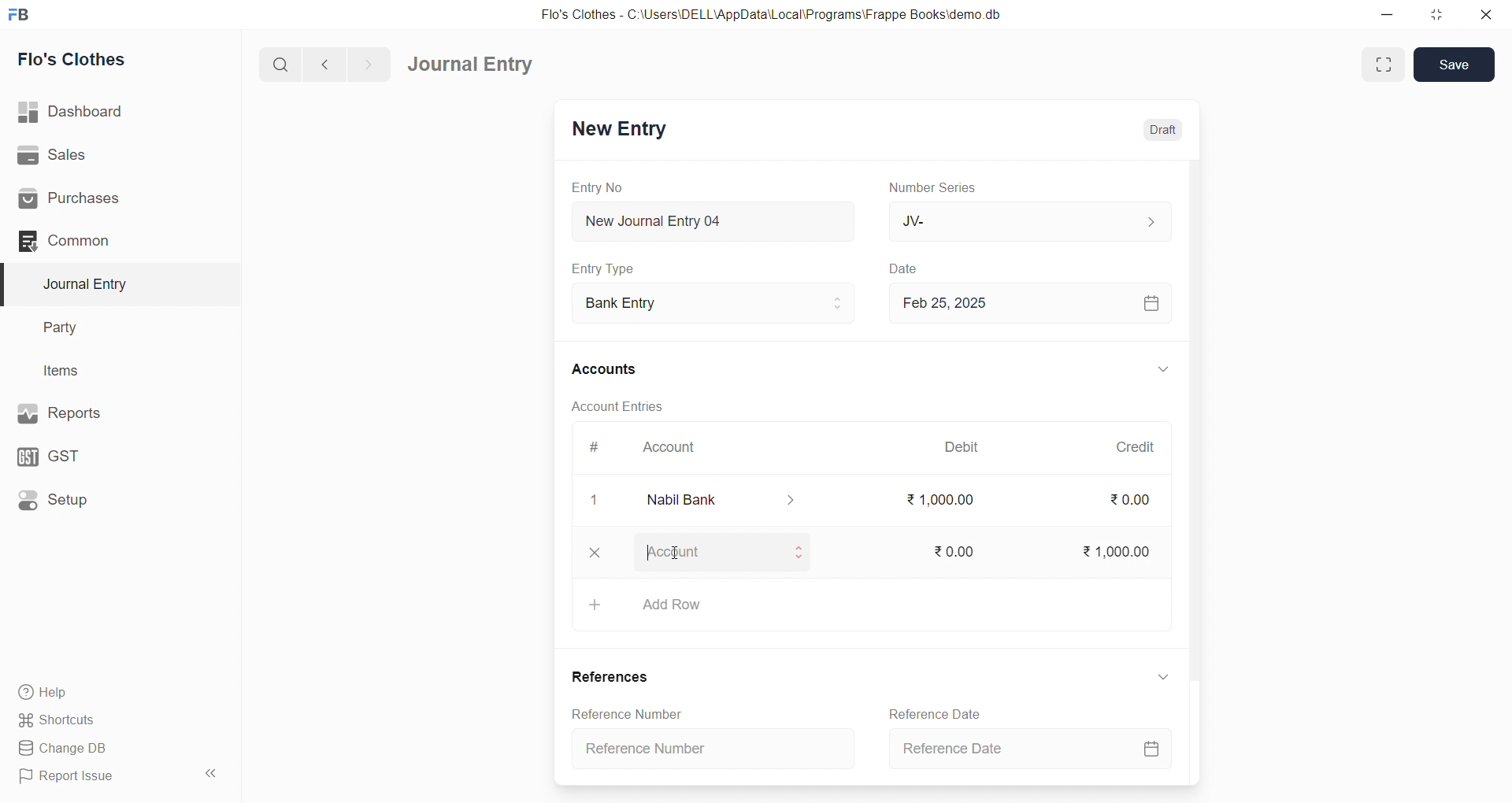 The image size is (1512, 803). What do you see at coordinates (112, 284) in the screenshot?
I see `Journal Entry` at bounding box center [112, 284].